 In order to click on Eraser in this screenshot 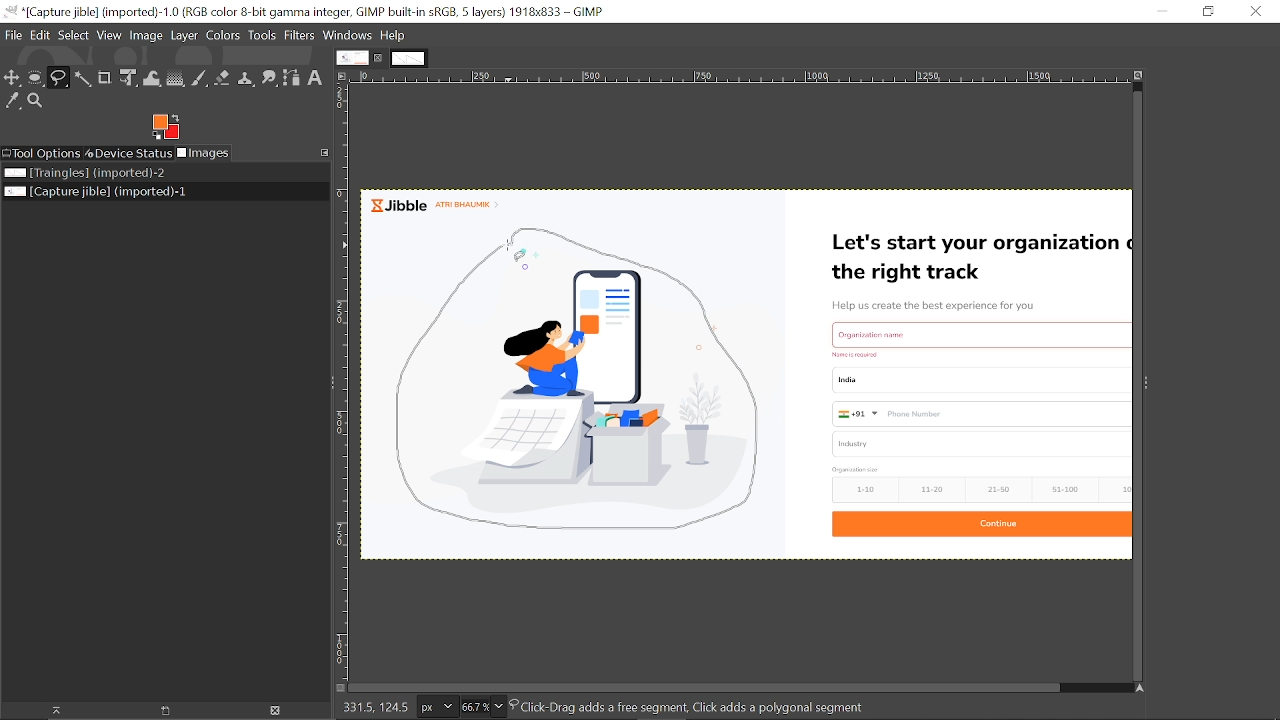, I will do `click(222, 77)`.